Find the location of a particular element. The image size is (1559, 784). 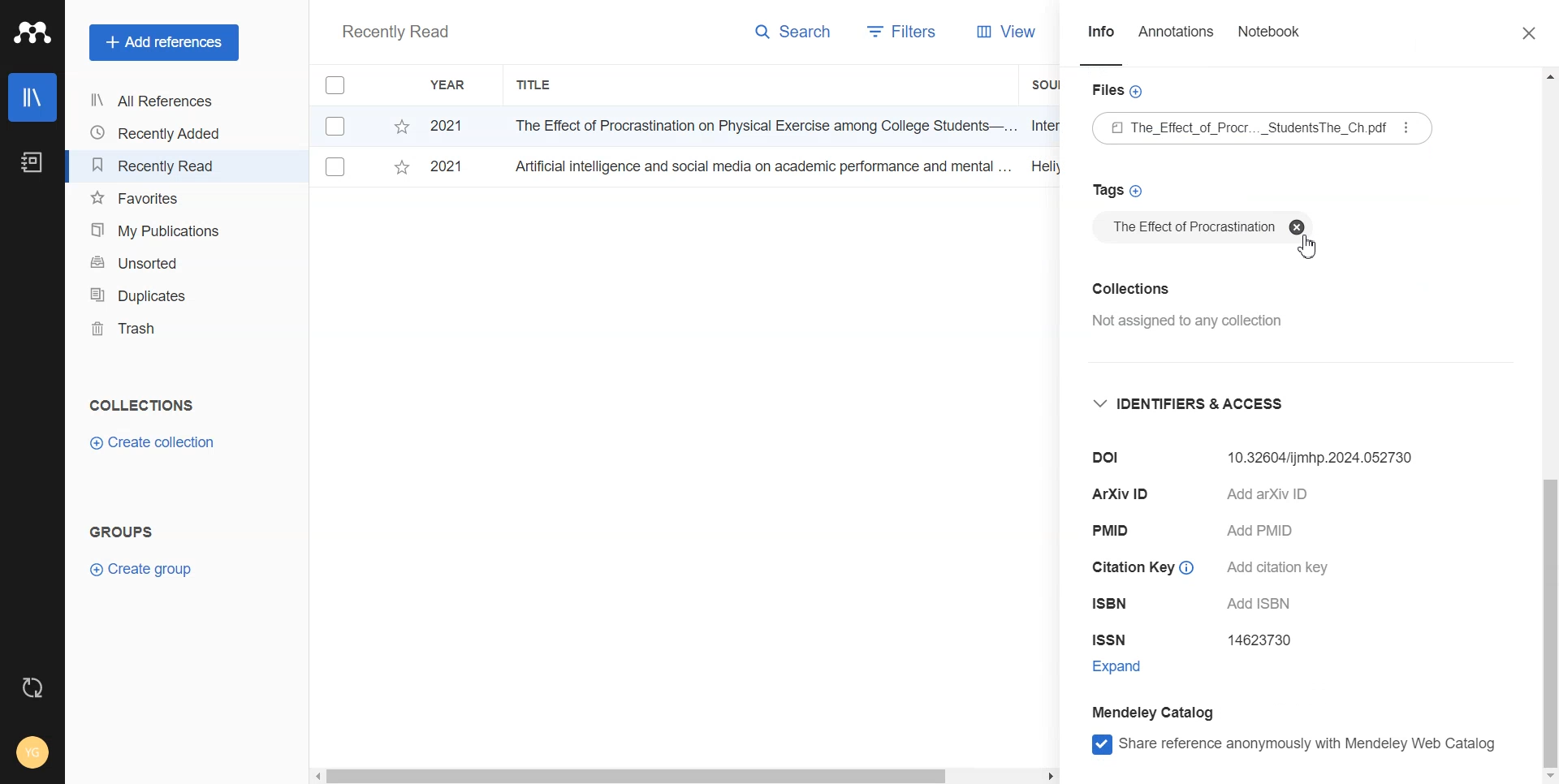

Add tags is located at coordinates (1118, 190).